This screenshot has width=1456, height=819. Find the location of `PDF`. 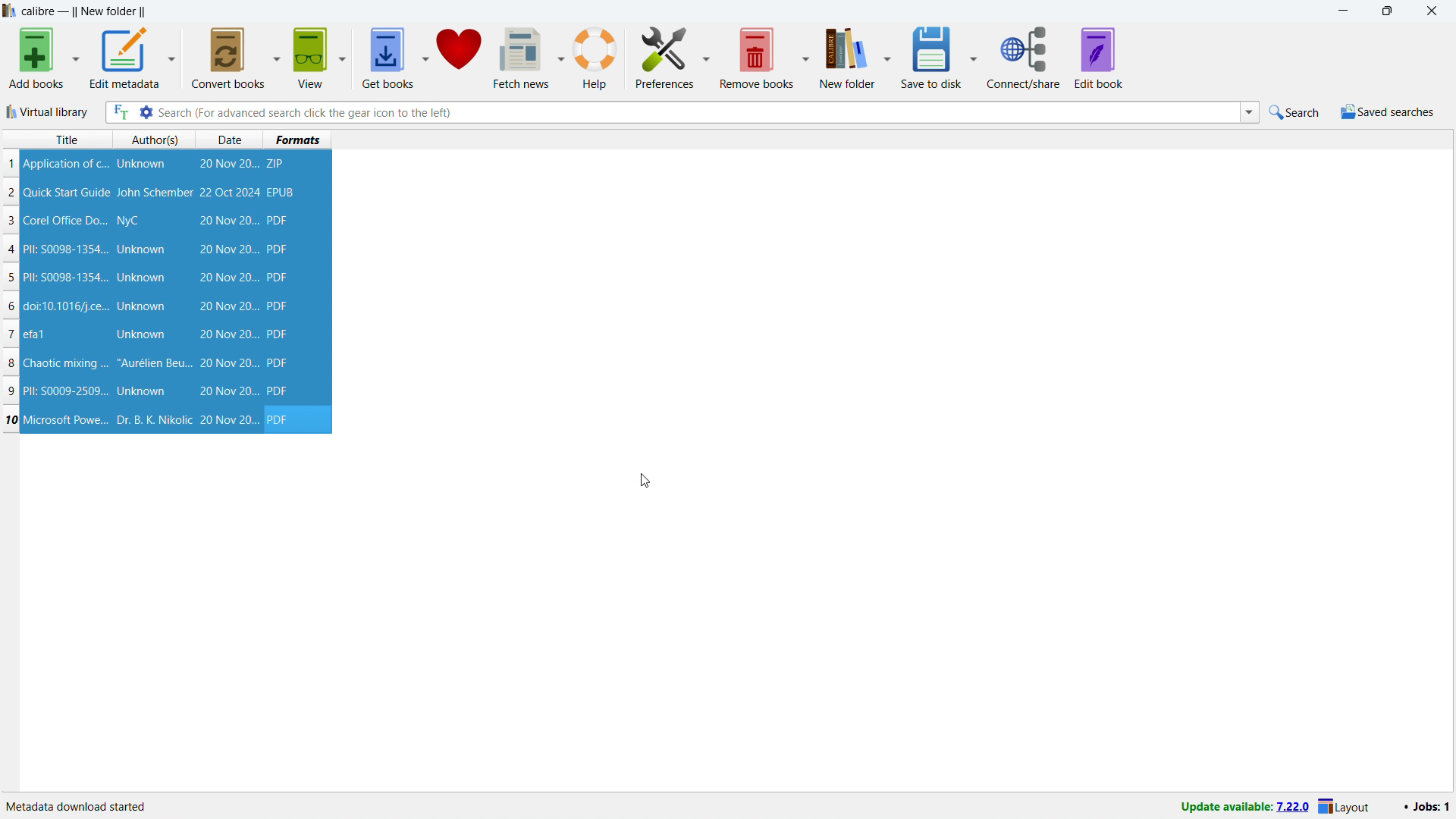

PDF is located at coordinates (283, 419).